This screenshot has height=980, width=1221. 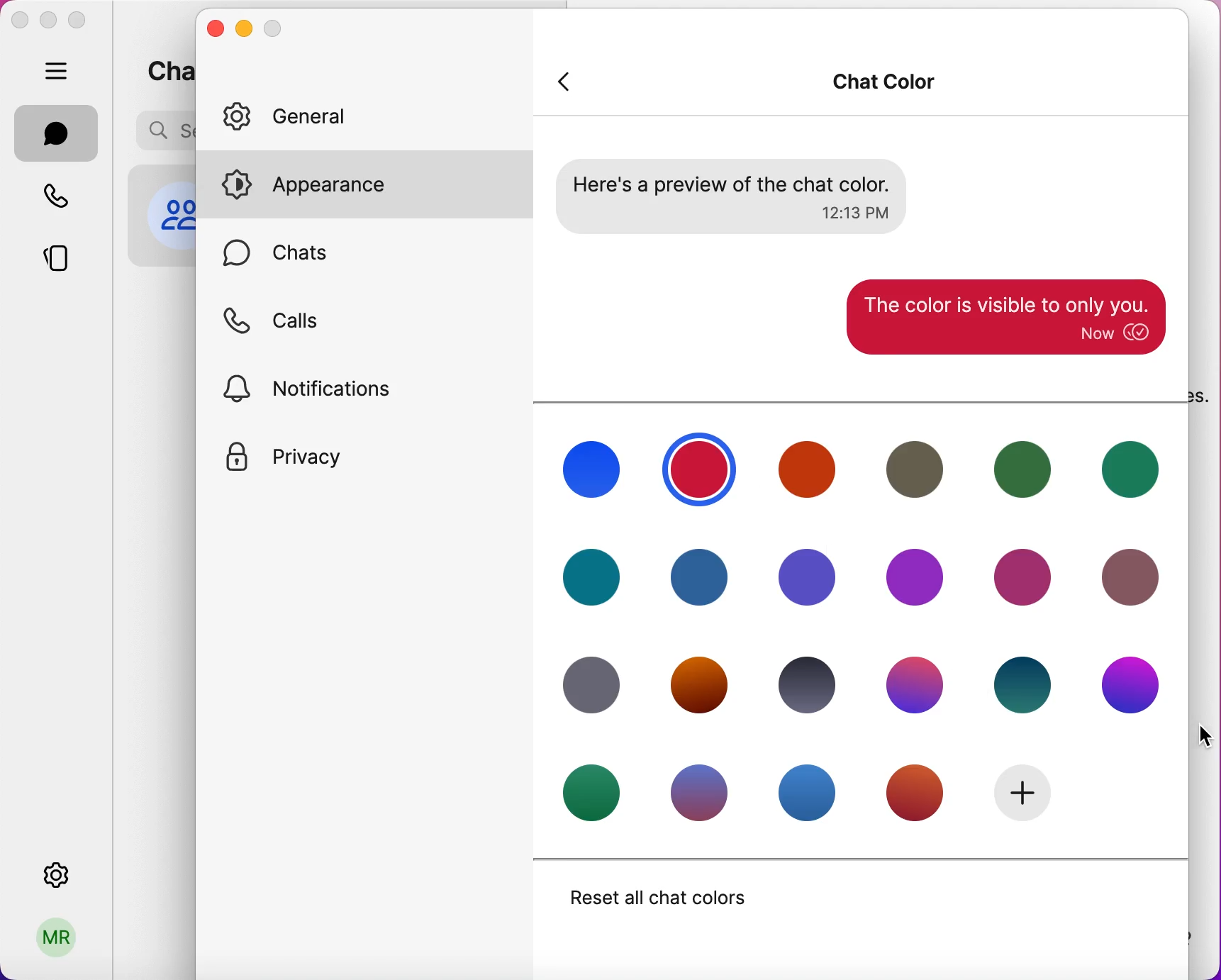 I want to click on preview of chat color, so click(x=753, y=200).